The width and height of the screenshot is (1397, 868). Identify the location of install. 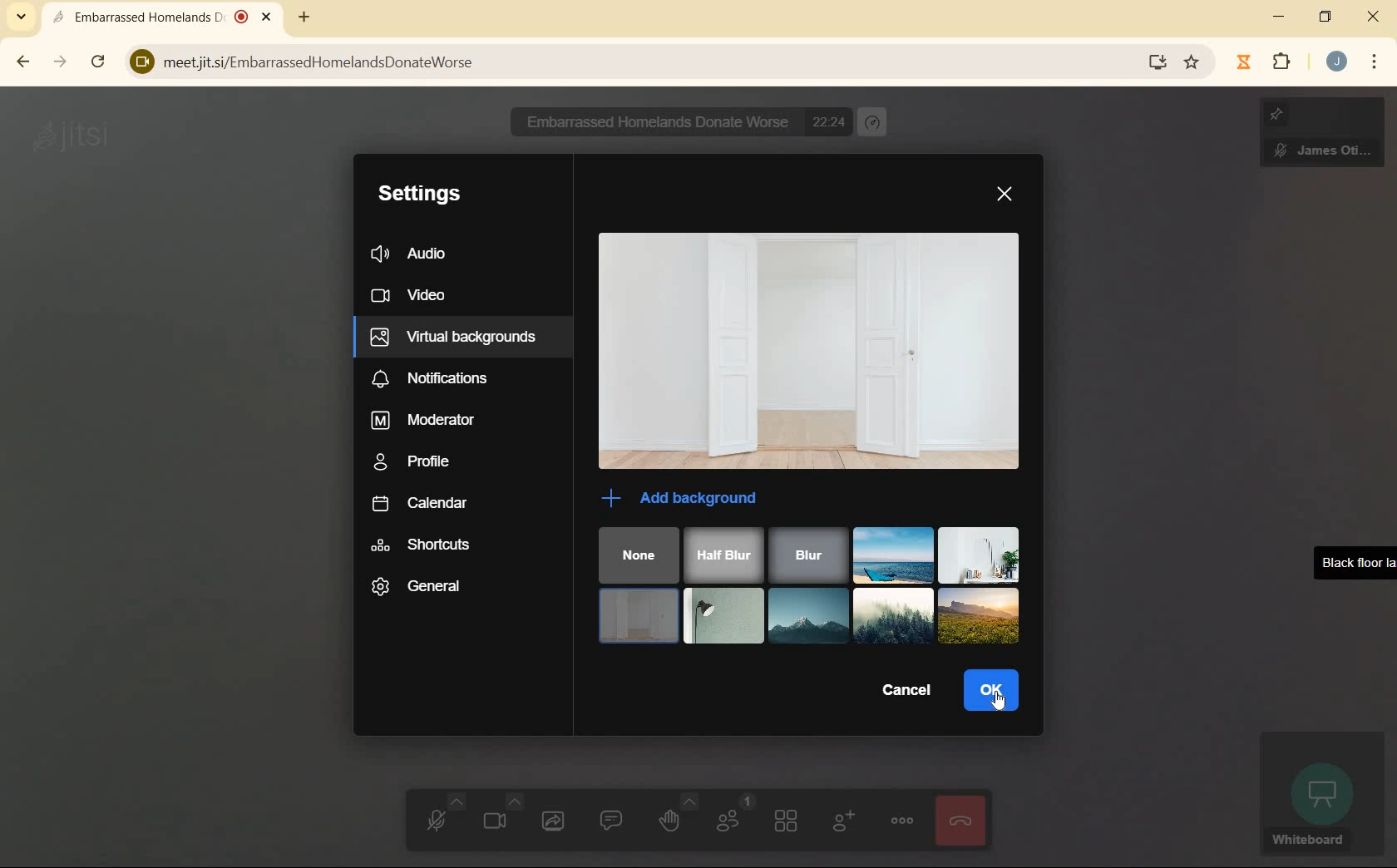
(1153, 64).